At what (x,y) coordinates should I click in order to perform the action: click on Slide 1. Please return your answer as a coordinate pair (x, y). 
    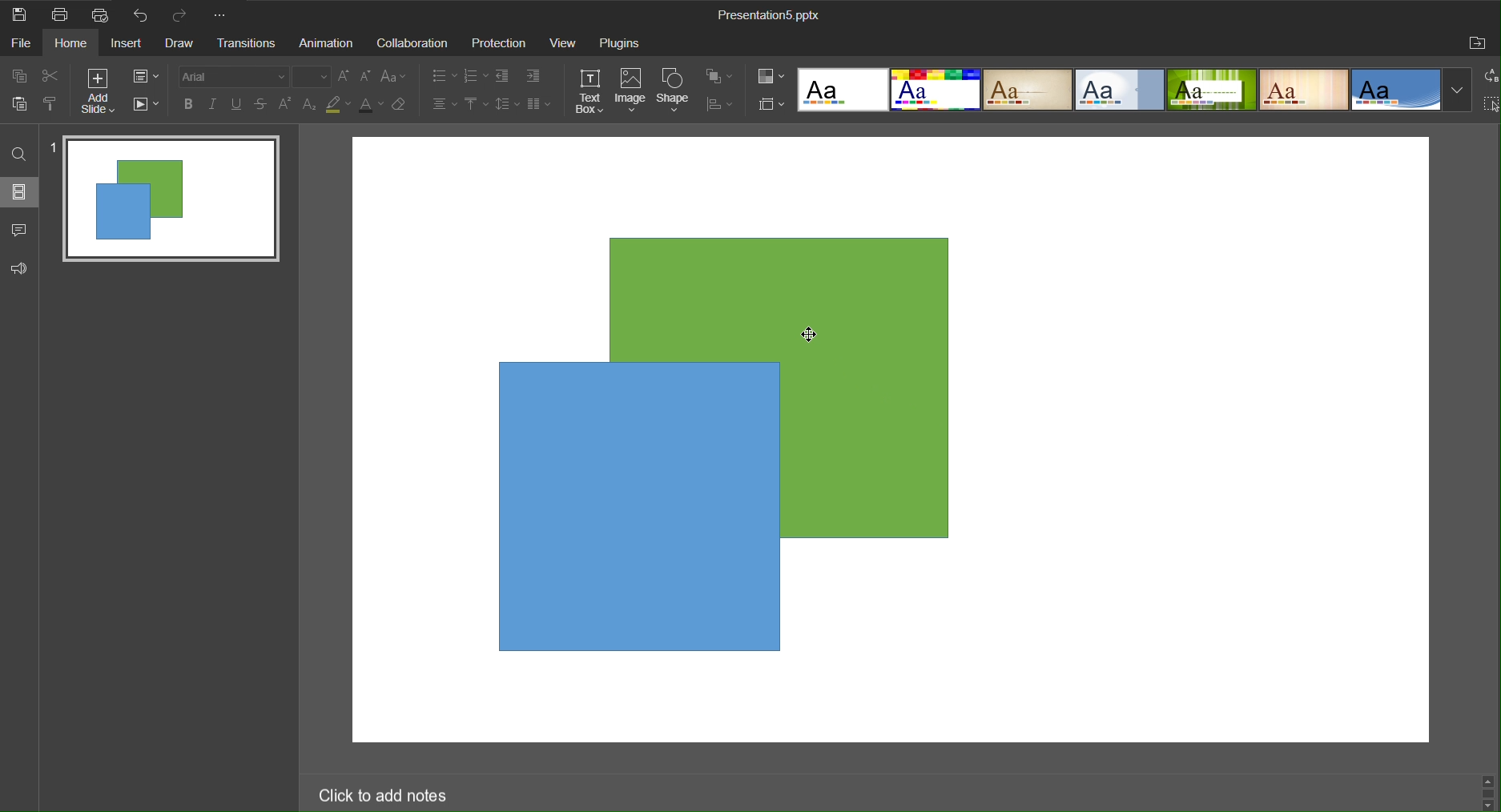
    Looking at the image, I should click on (167, 199).